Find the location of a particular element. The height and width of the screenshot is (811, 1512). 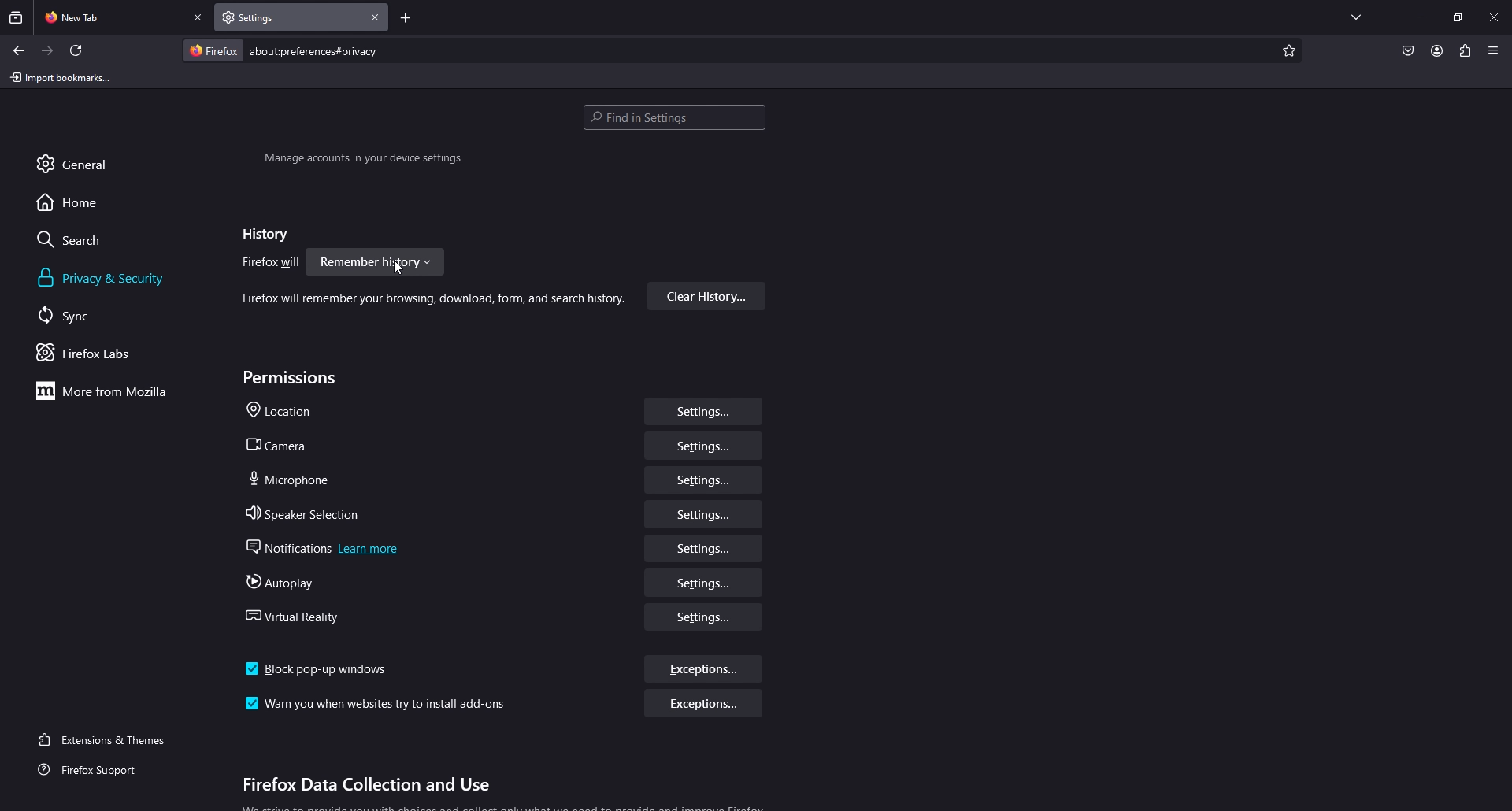

back is located at coordinates (18, 50).